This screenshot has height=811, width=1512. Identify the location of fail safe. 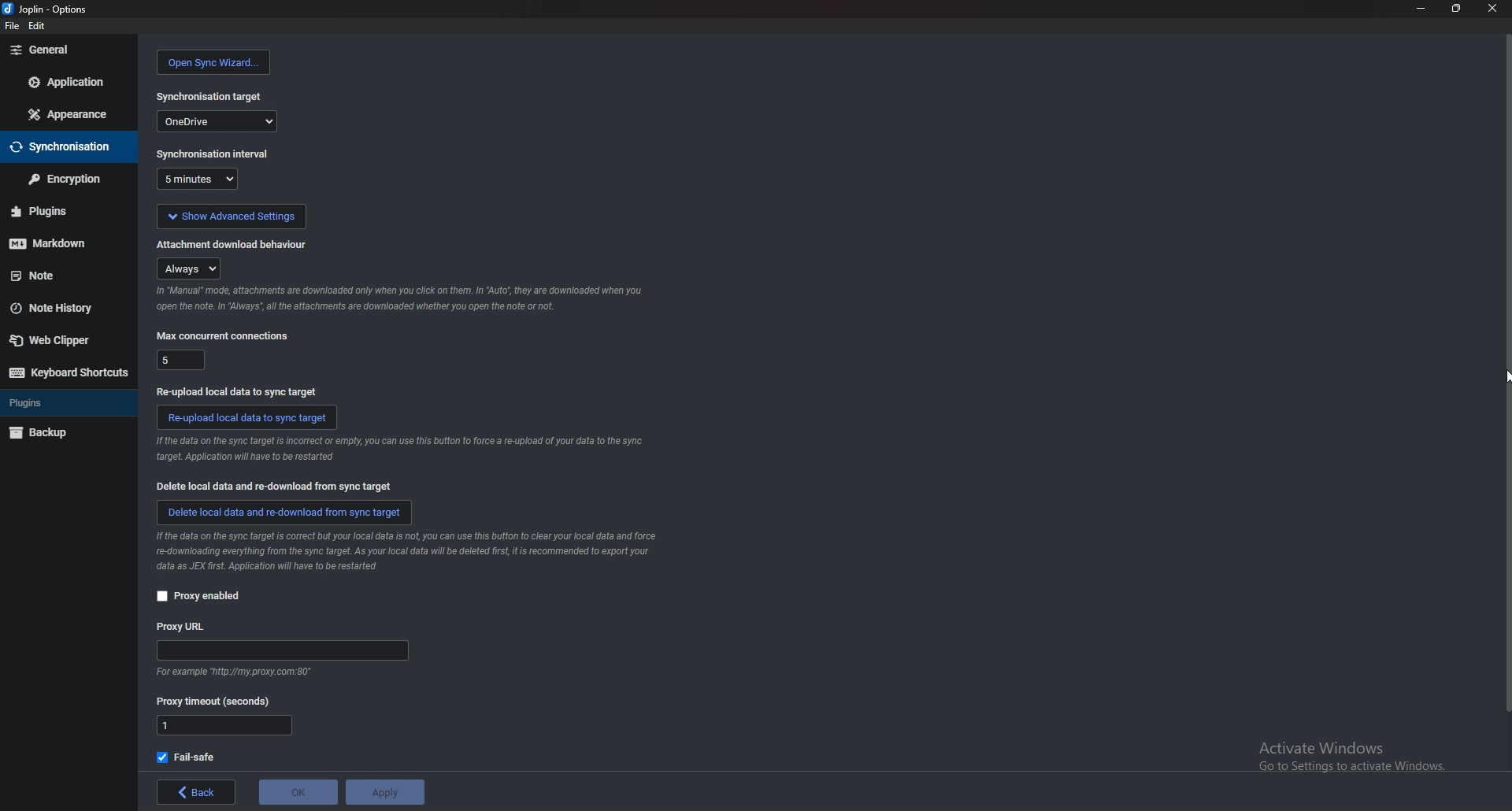
(190, 757).